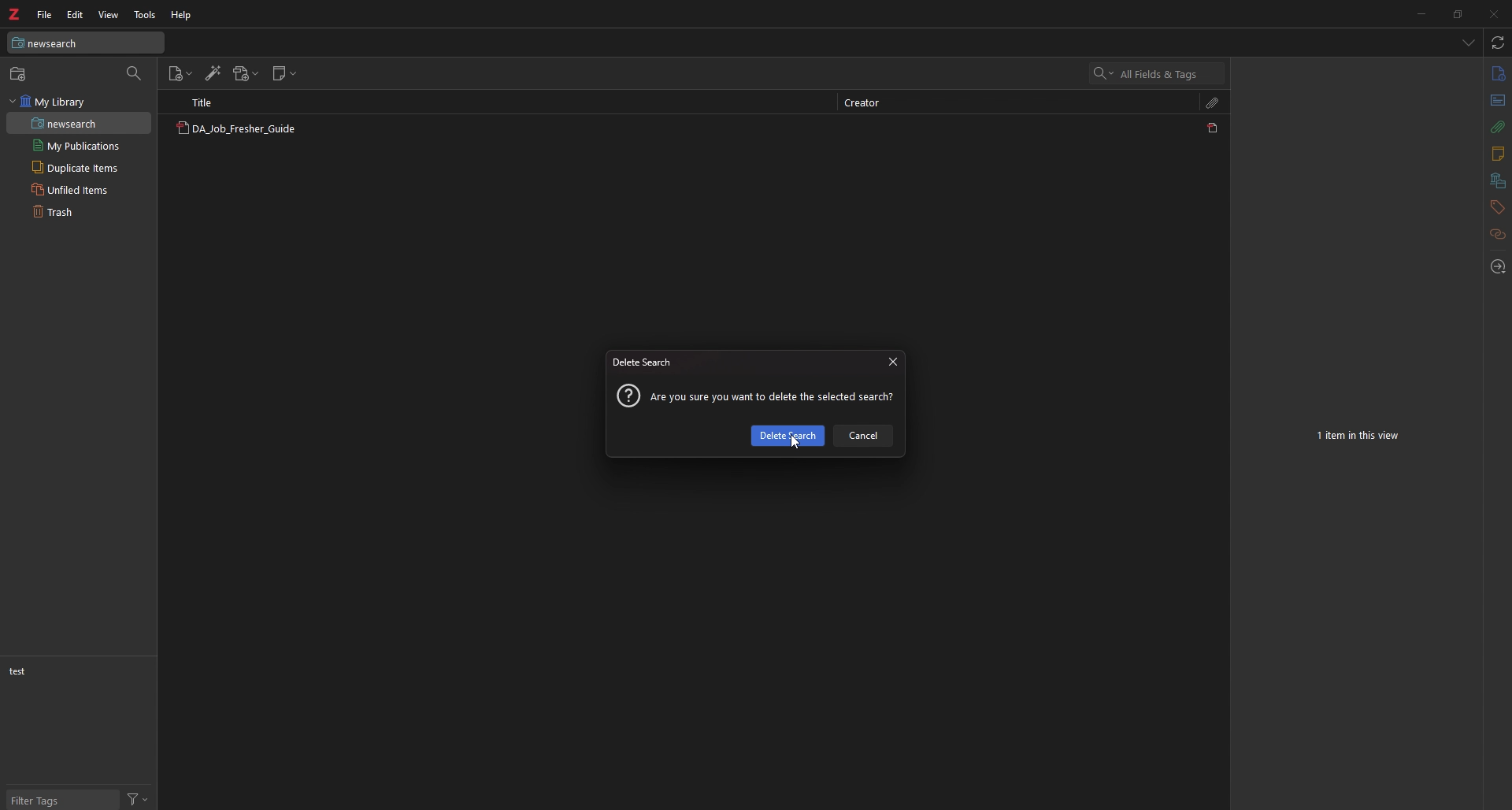  Describe the element at coordinates (864, 104) in the screenshot. I see `creator` at that location.